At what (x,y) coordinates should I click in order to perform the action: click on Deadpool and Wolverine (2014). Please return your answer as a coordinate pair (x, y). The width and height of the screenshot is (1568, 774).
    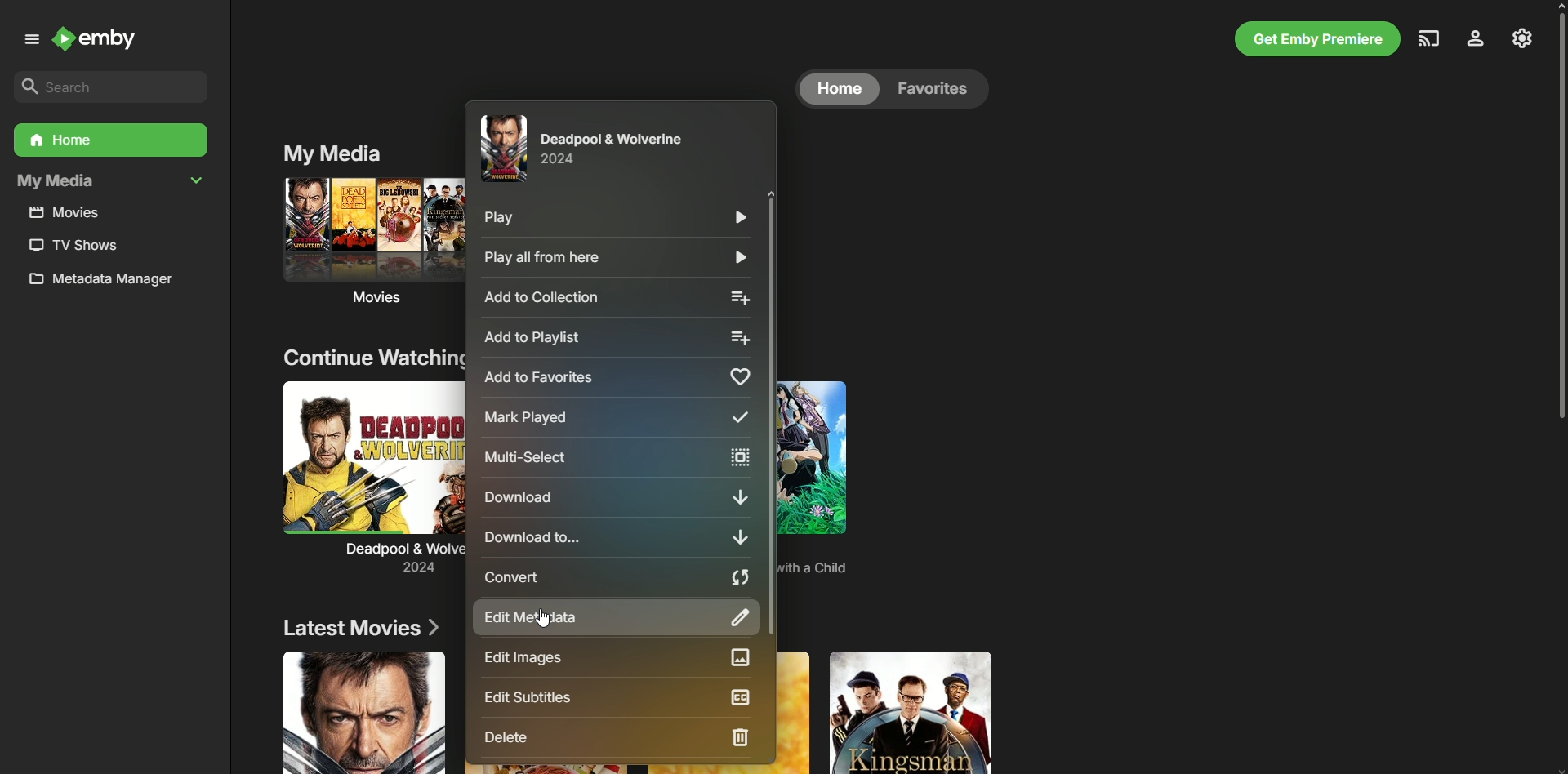
    Looking at the image, I should click on (604, 149).